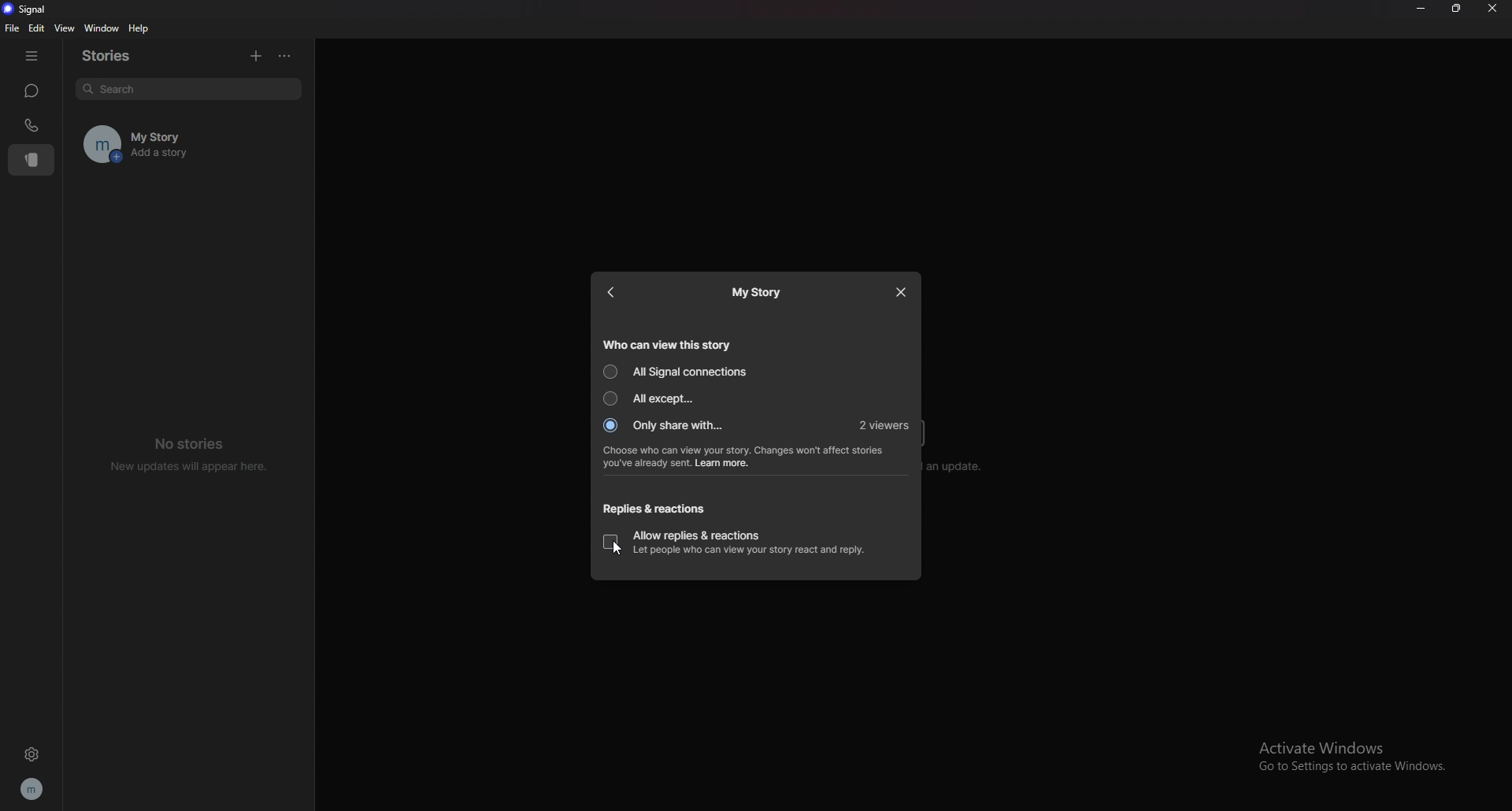 This screenshot has width=1512, height=811. I want to click on close, so click(902, 292).